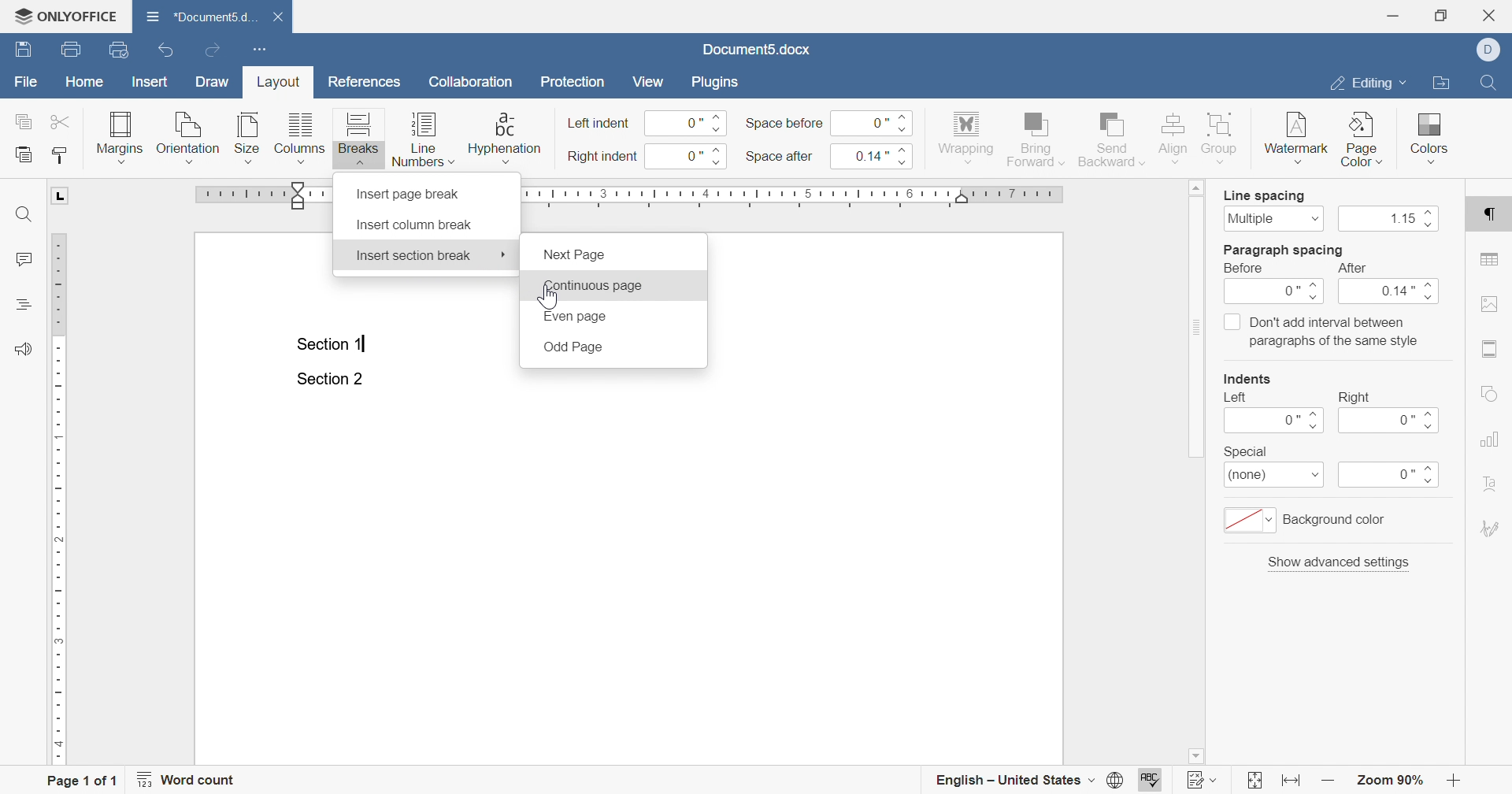  I want to click on line spacing, so click(1265, 196).